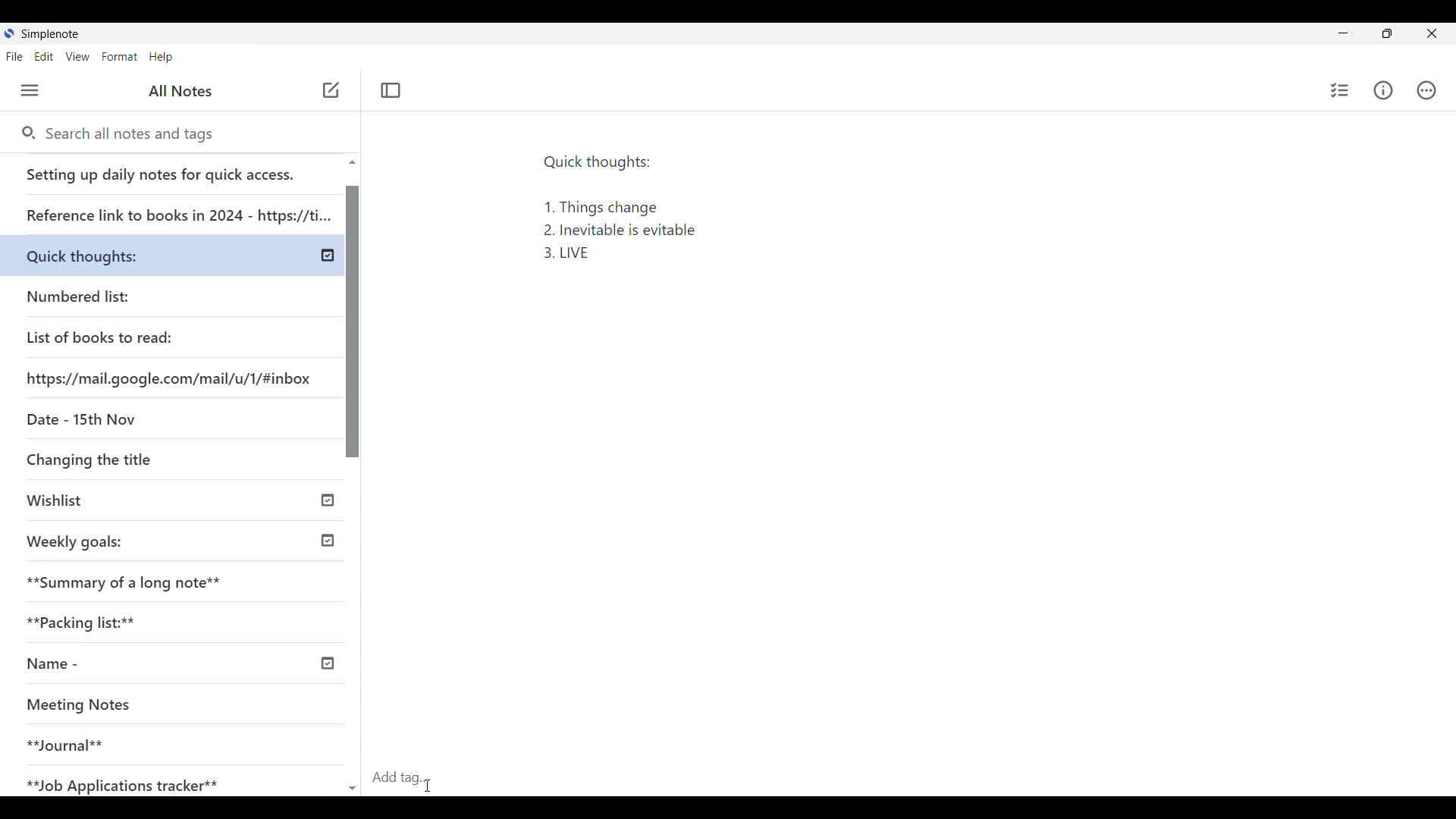 Image resolution: width=1456 pixels, height=819 pixels. I want to click on Cursor position unchanged, so click(331, 91).